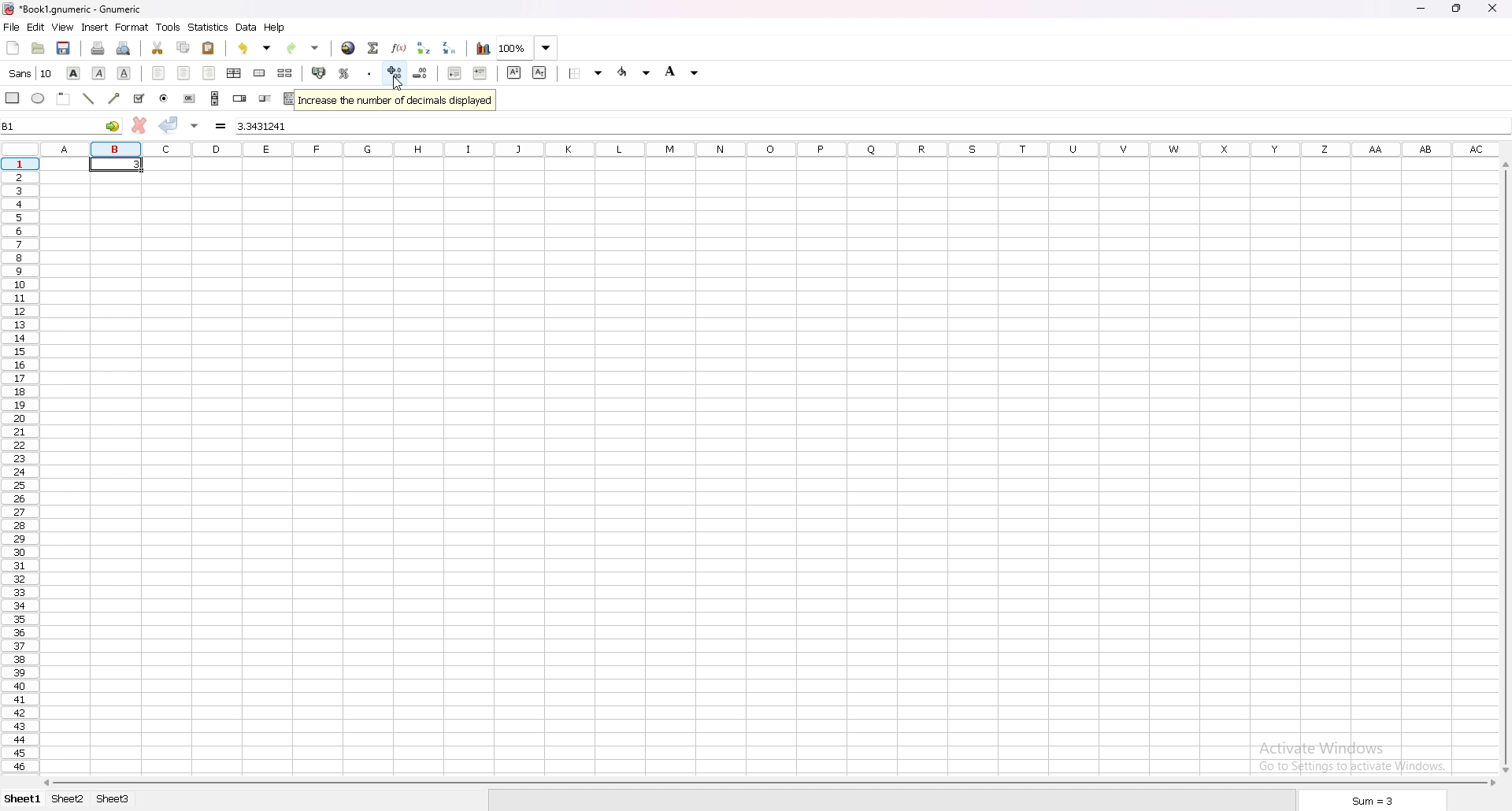 The image size is (1512, 811). I want to click on thousand separator, so click(368, 72).